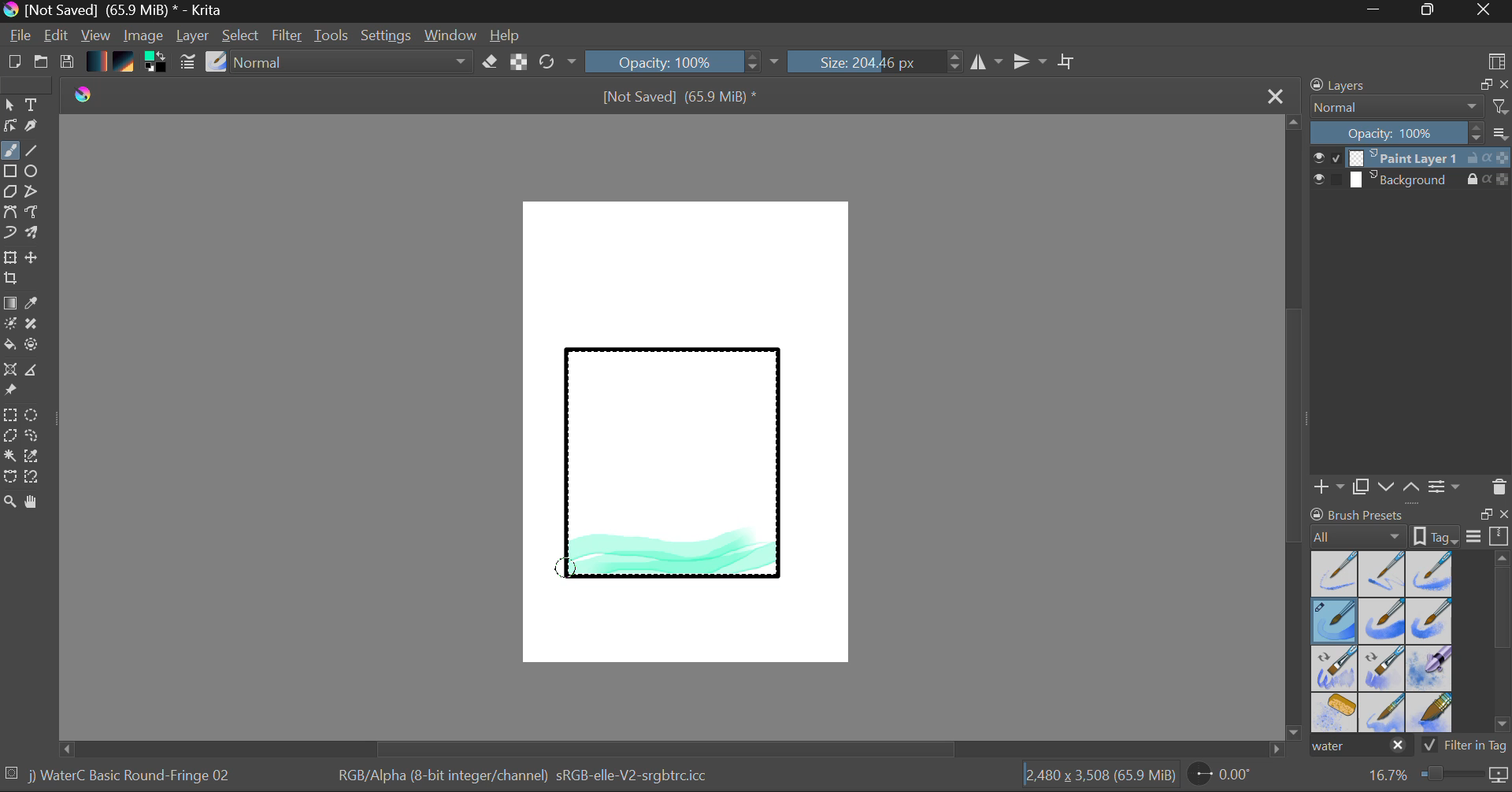  Describe the element at coordinates (1336, 572) in the screenshot. I see `Water C - Dry` at that location.